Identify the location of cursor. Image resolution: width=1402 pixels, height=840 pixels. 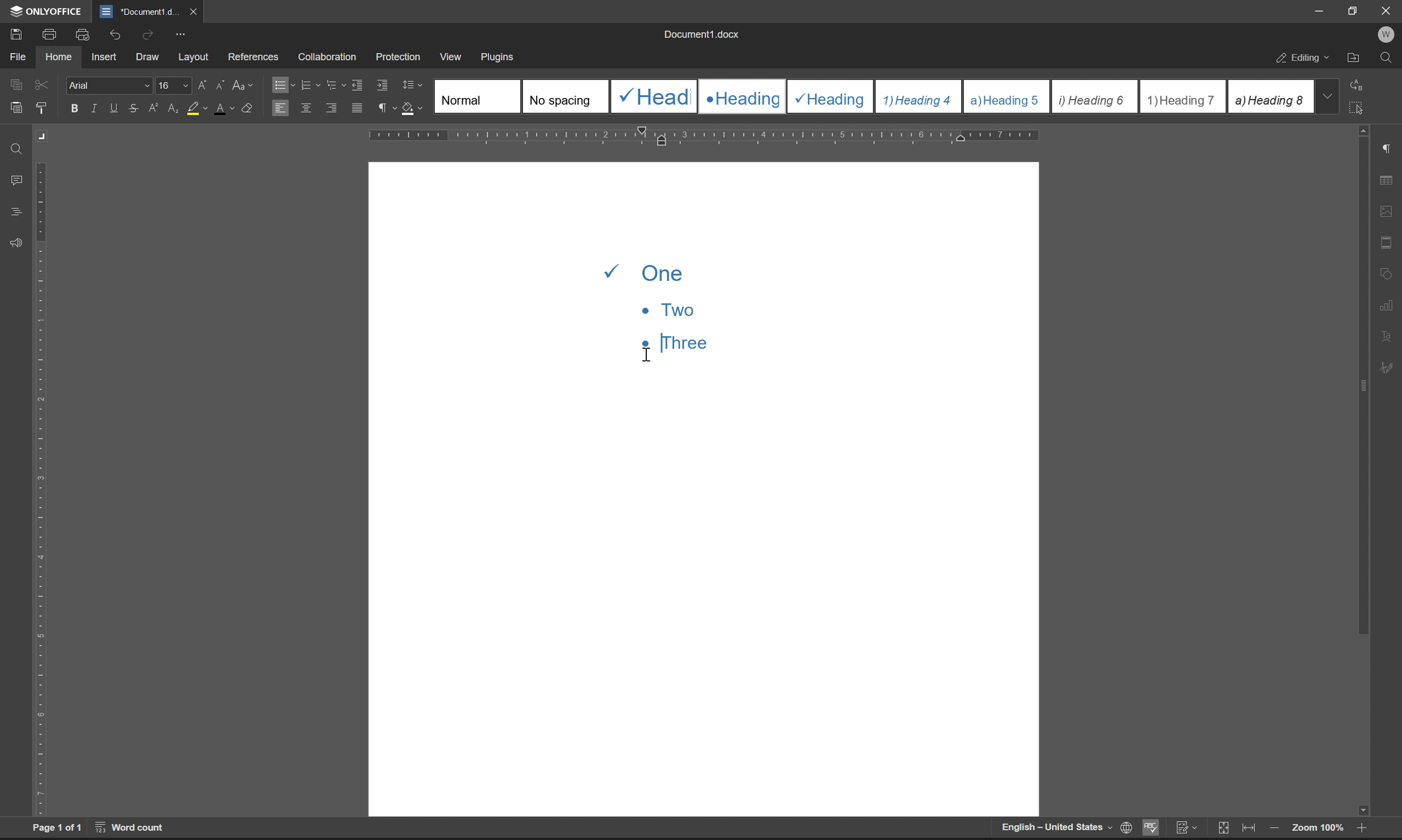
(648, 354).